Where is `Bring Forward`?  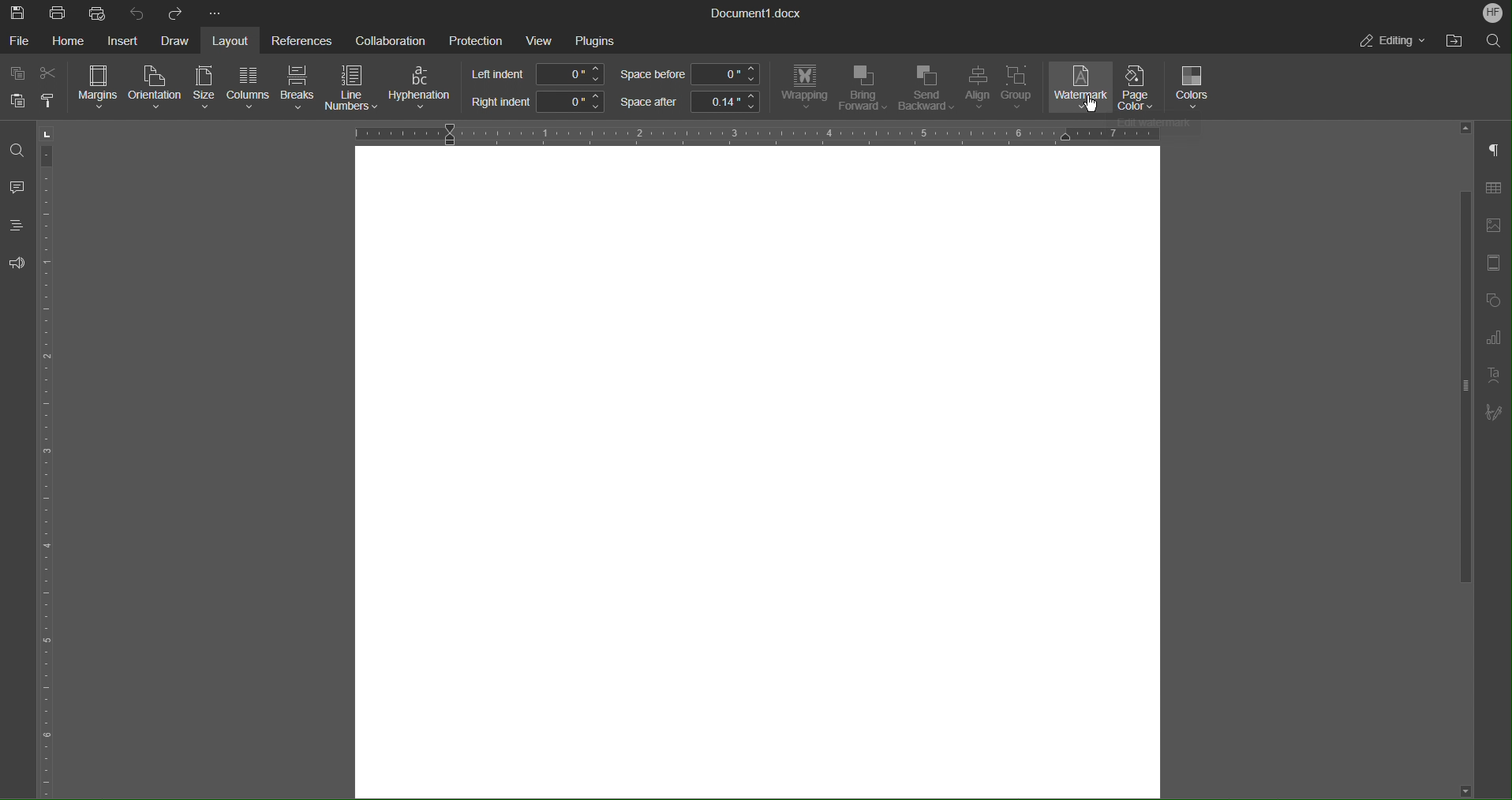 Bring Forward is located at coordinates (863, 88).